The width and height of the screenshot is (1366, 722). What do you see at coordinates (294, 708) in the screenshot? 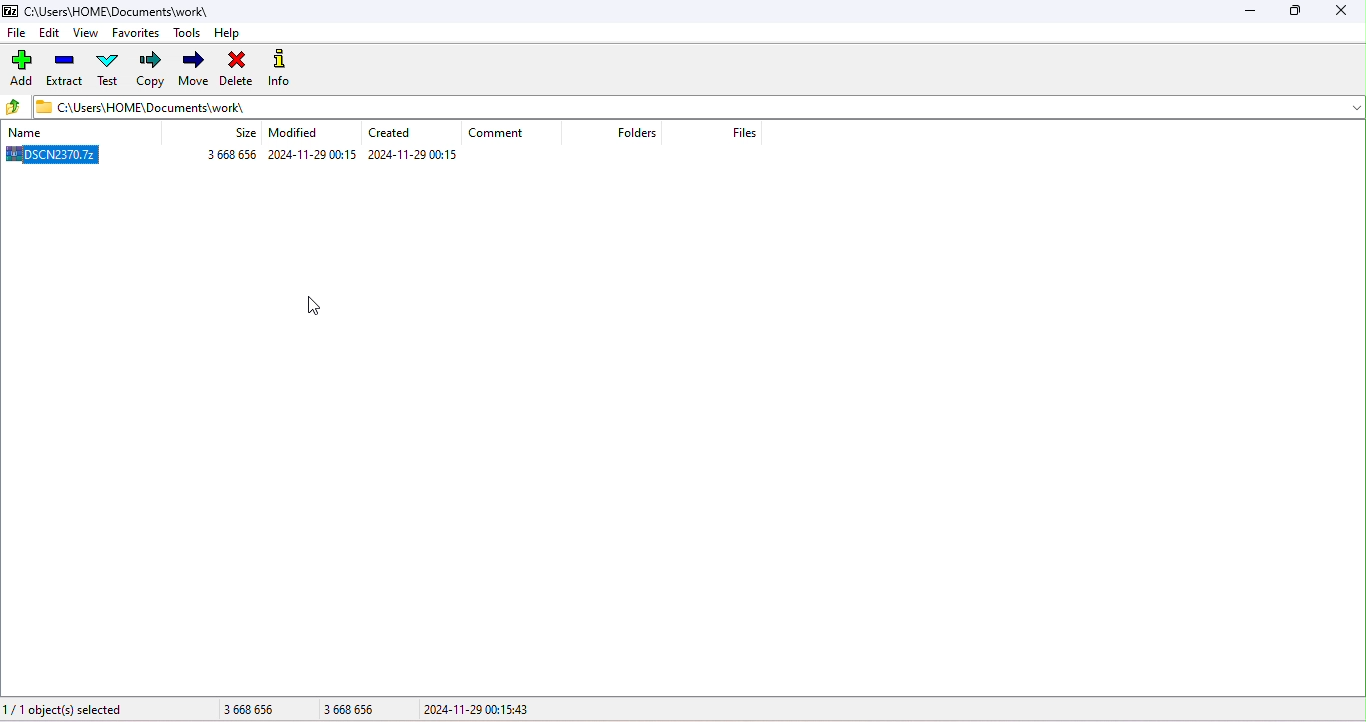
I see `size` at bounding box center [294, 708].